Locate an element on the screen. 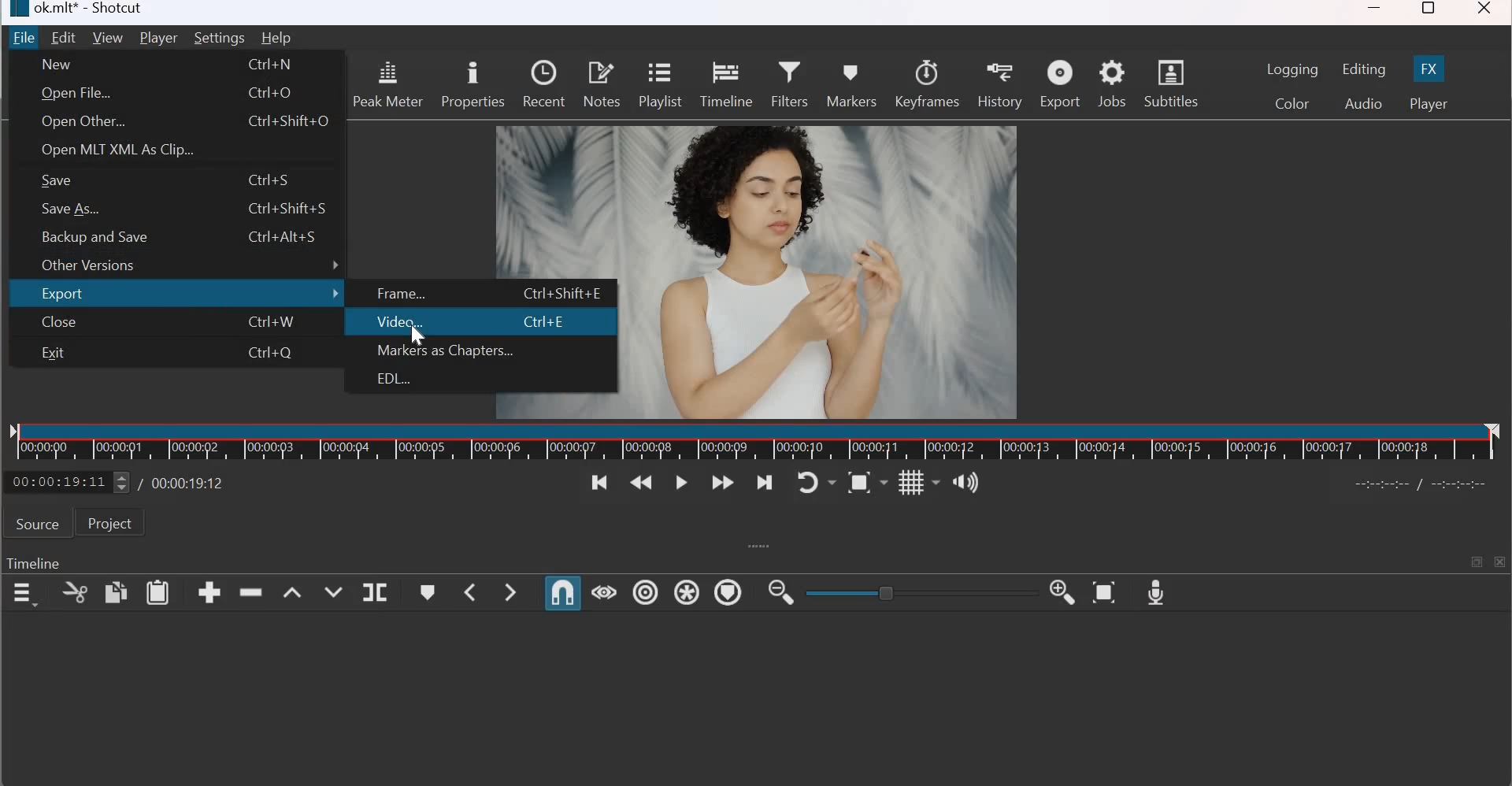 Image resolution: width=1512 pixels, height=786 pixels. Play quickly forwards is located at coordinates (724, 483).